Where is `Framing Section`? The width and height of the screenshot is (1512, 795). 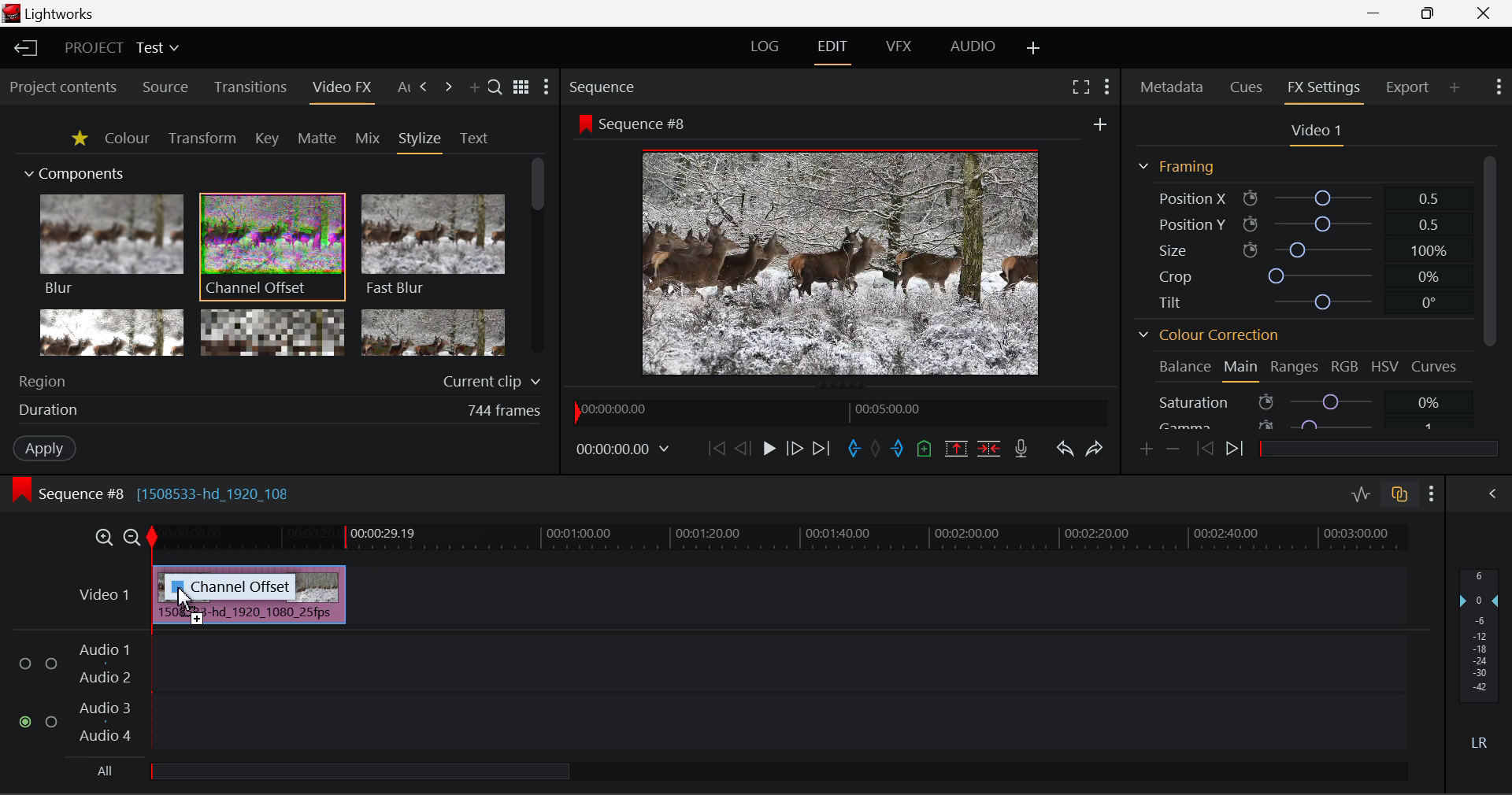
Framing Section is located at coordinates (1180, 166).